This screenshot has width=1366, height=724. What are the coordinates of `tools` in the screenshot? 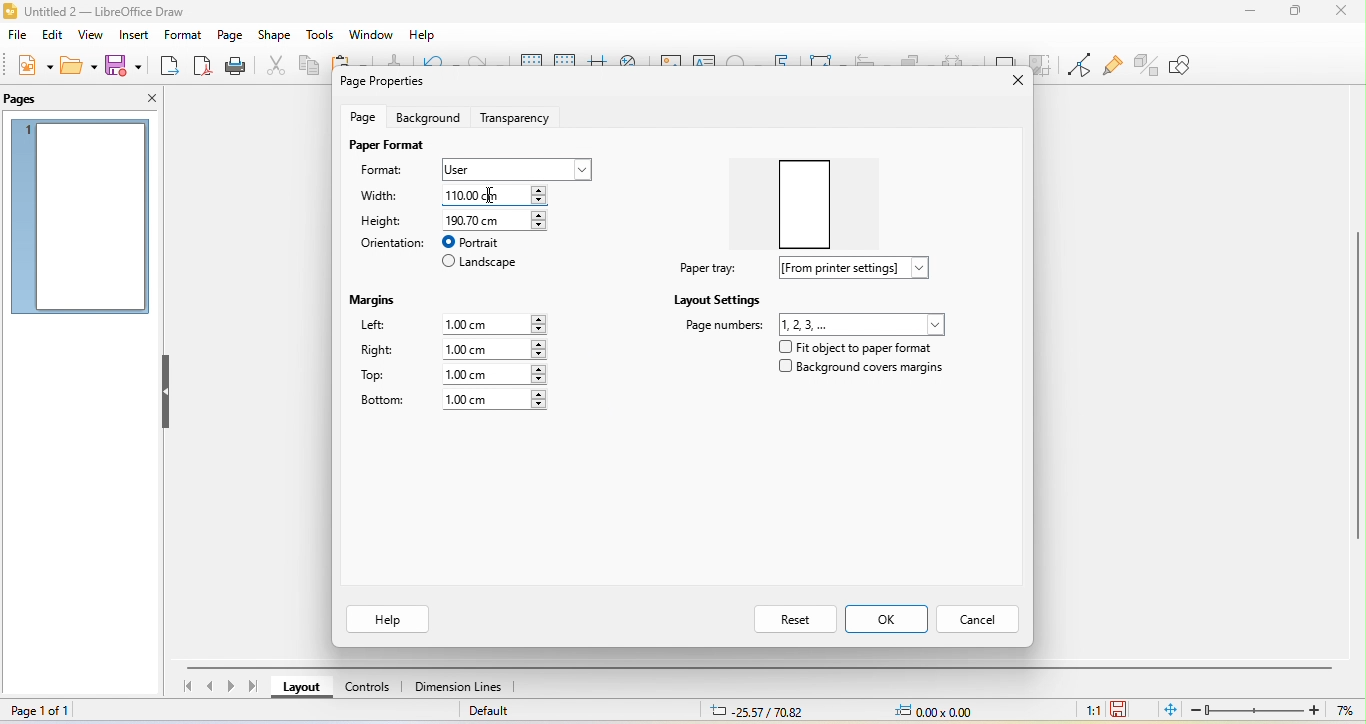 It's located at (321, 36).